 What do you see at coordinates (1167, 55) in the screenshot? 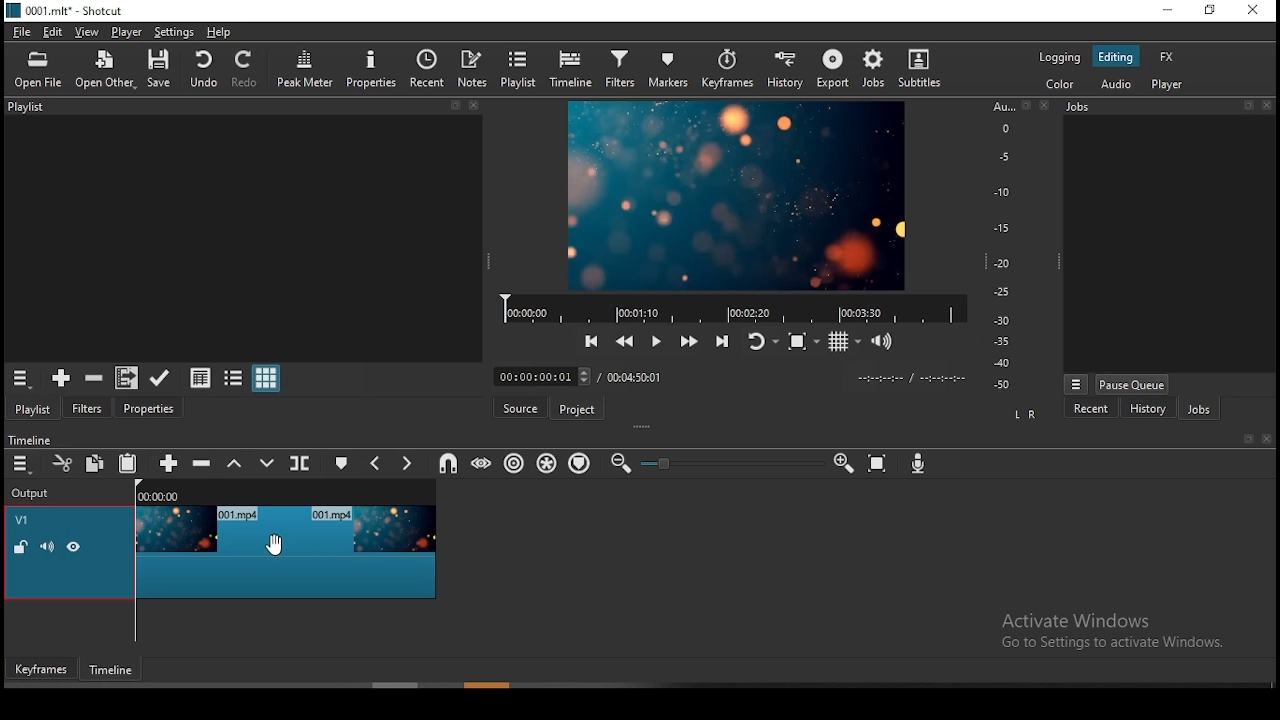
I see `fx` at bounding box center [1167, 55].